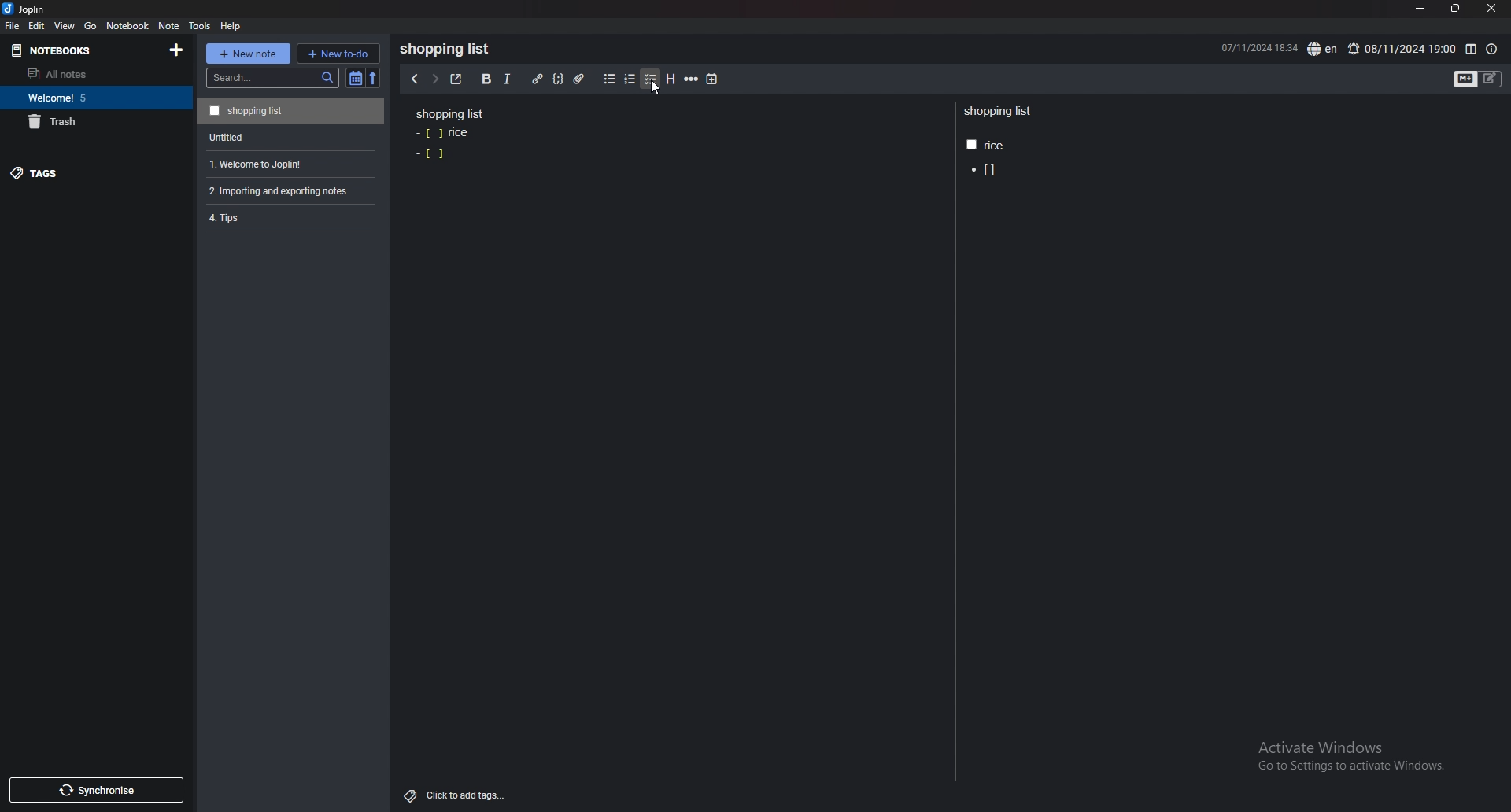 Image resolution: width=1511 pixels, height=812 pixels. What do you see at coordinates (231, 26) in the screenshot?
I see `help` at bounding box center [231, 26].